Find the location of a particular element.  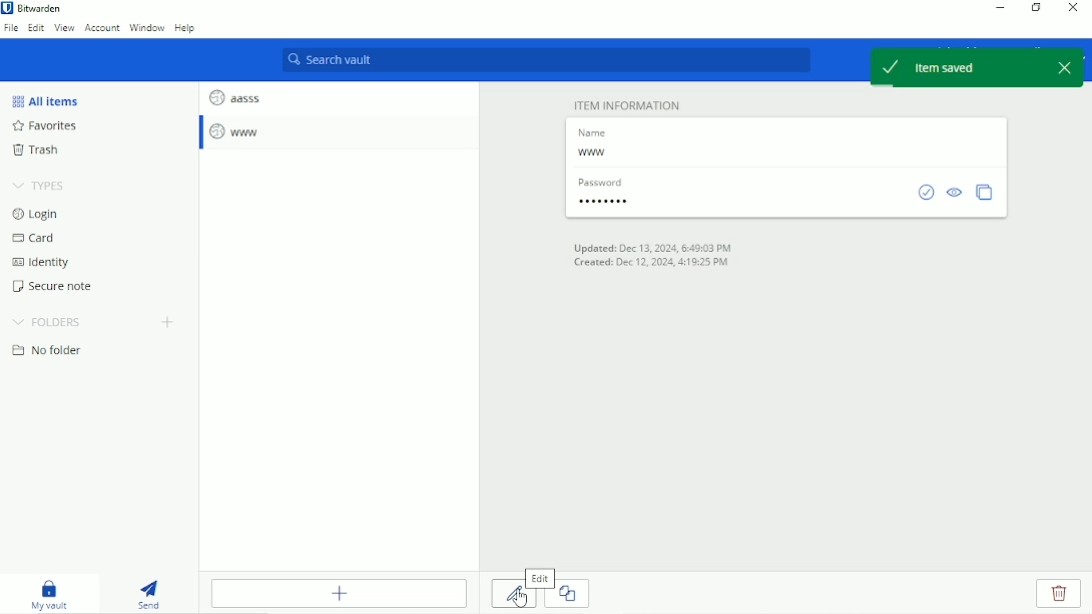

Help is located at coordinates (187, 30).